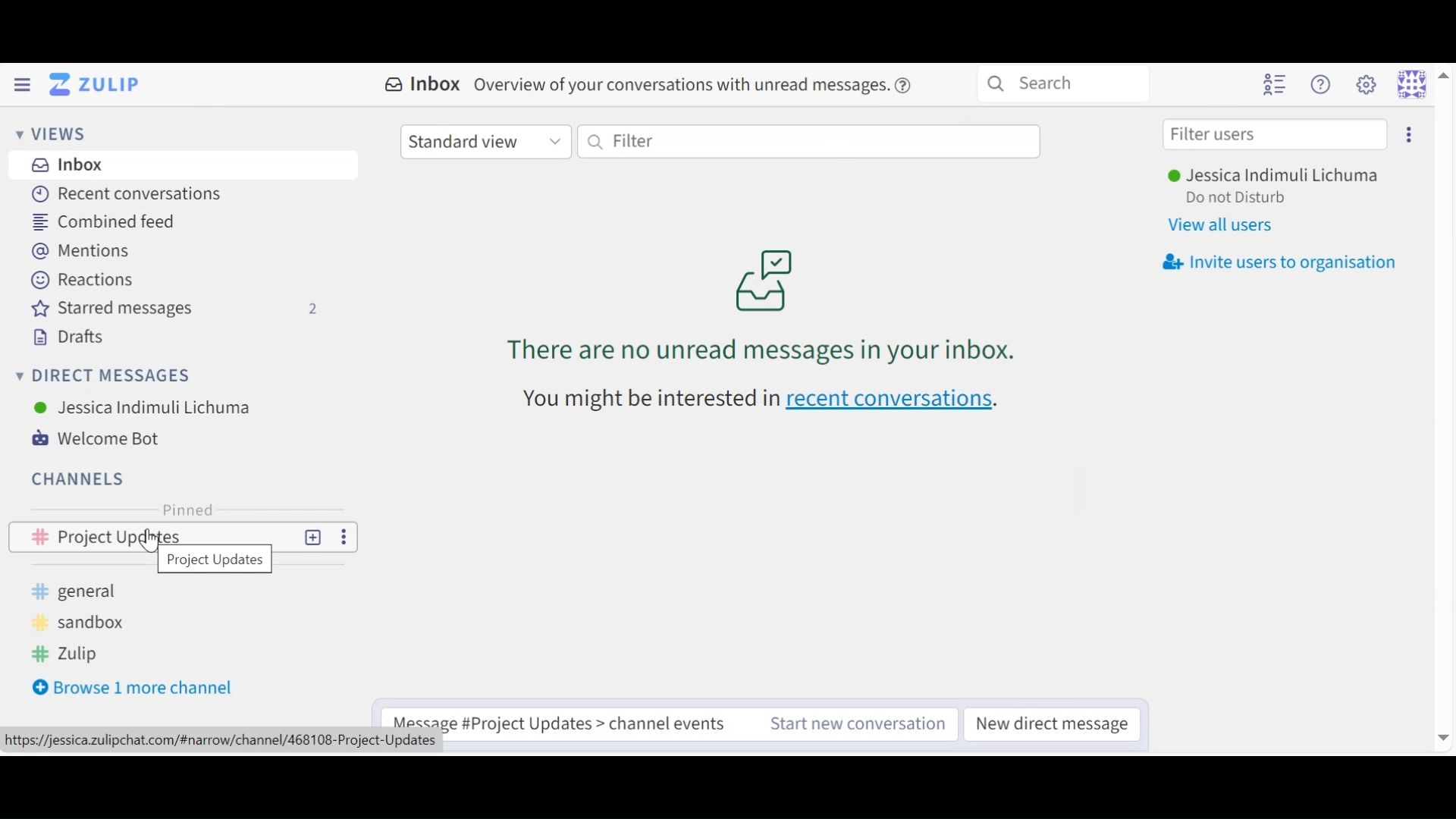  What do you see at coordinates (811, 142) in the screenshot?
I see `Filter by text` at bounding box center [811, 142].